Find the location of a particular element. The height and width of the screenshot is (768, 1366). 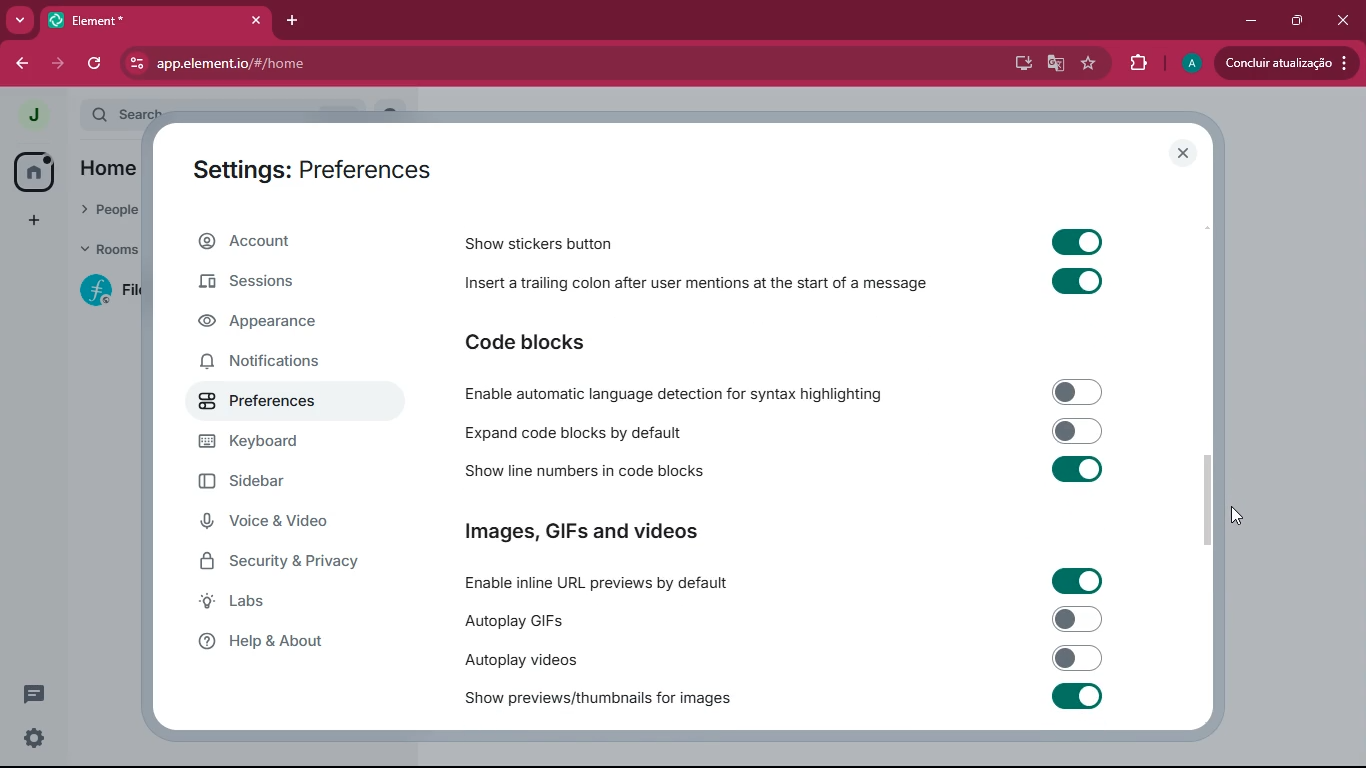

refresh is located at coordinates (96, 63).